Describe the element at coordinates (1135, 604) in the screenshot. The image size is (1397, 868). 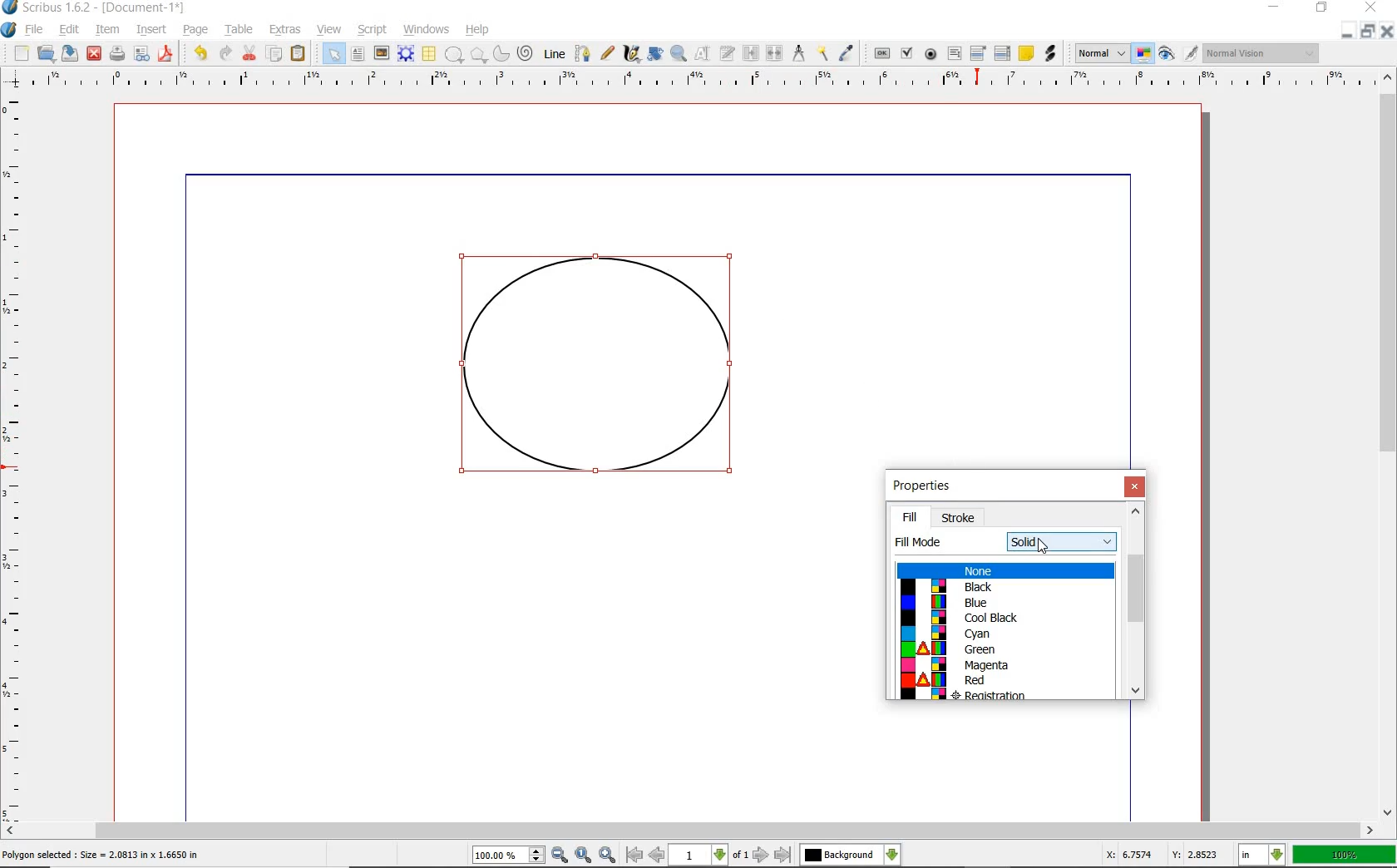
I see `scrollbar` at that location.